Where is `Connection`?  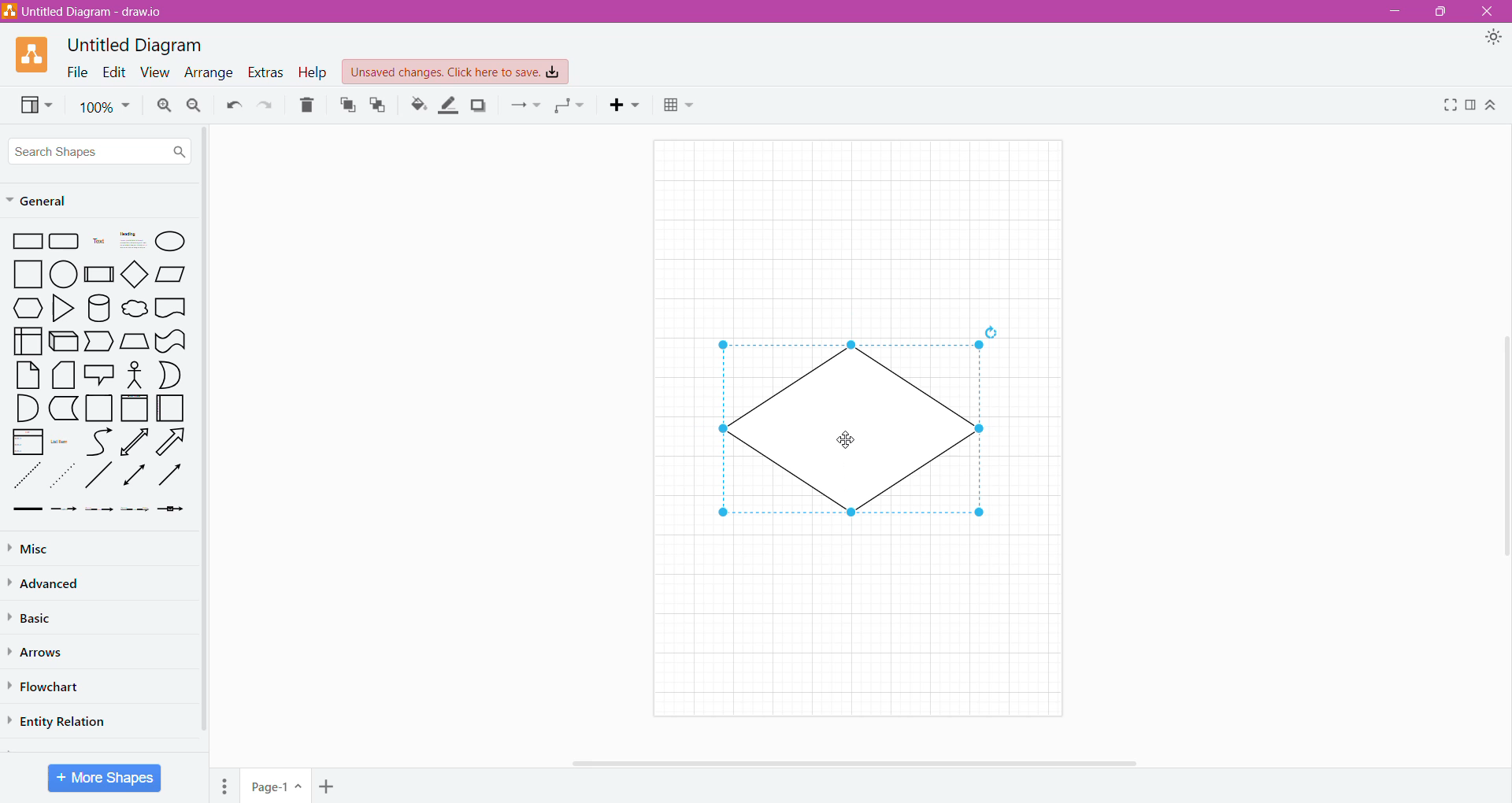
Connection is located at coordinates (525, 105).